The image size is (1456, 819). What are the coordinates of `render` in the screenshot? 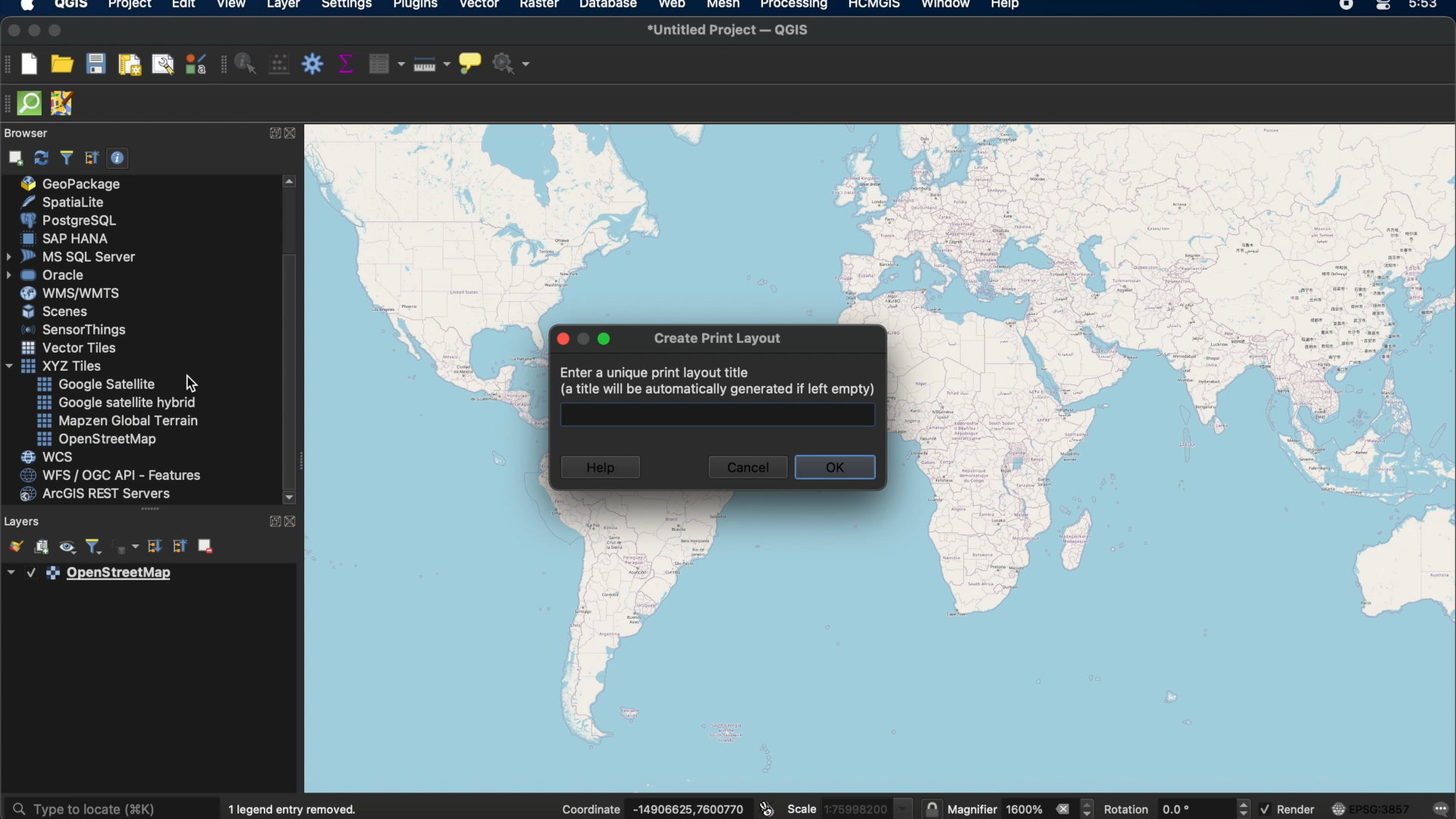 It's located at (1289, 809).